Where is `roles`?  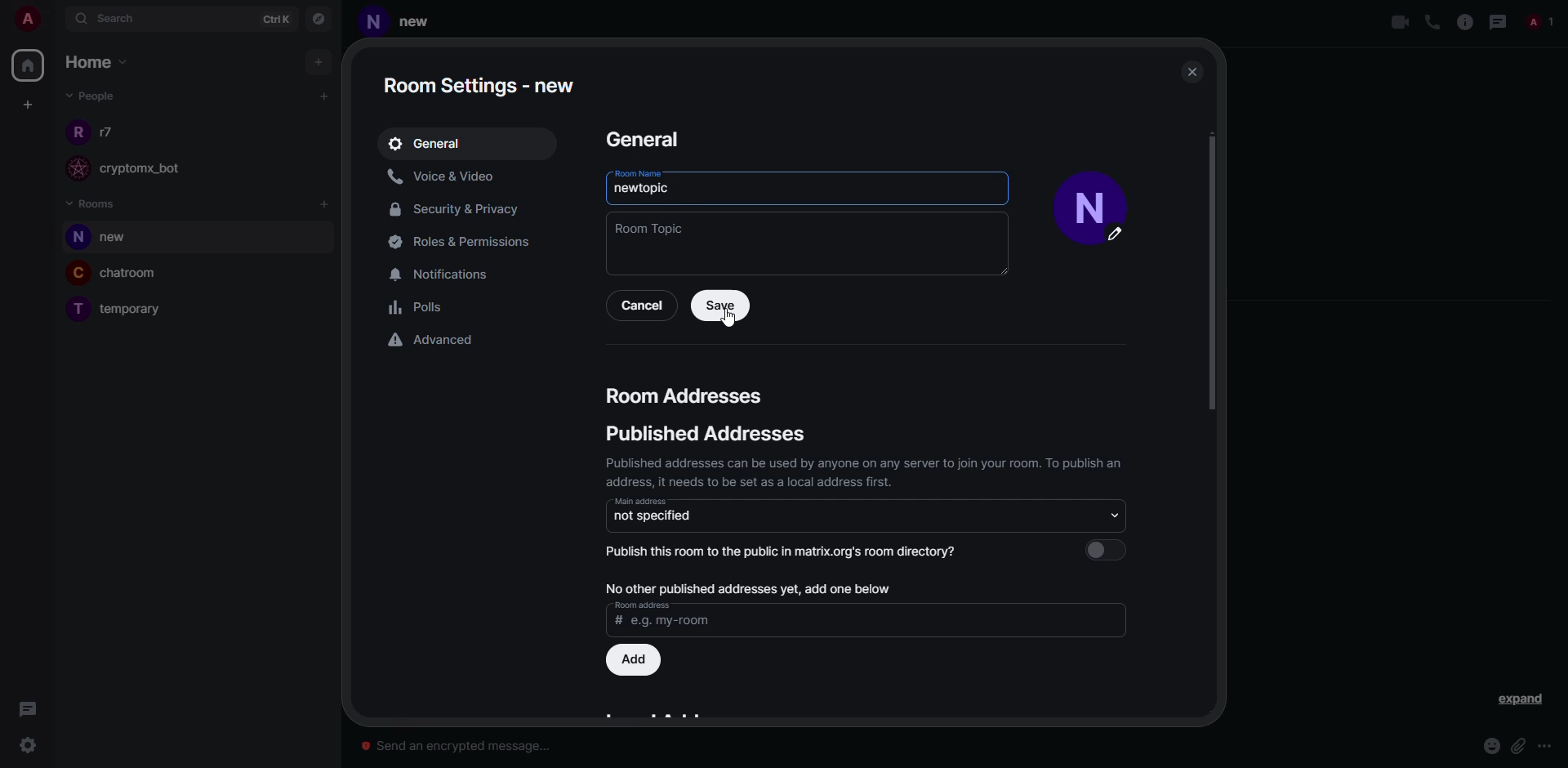 roles is located at coordinates (457, 242).